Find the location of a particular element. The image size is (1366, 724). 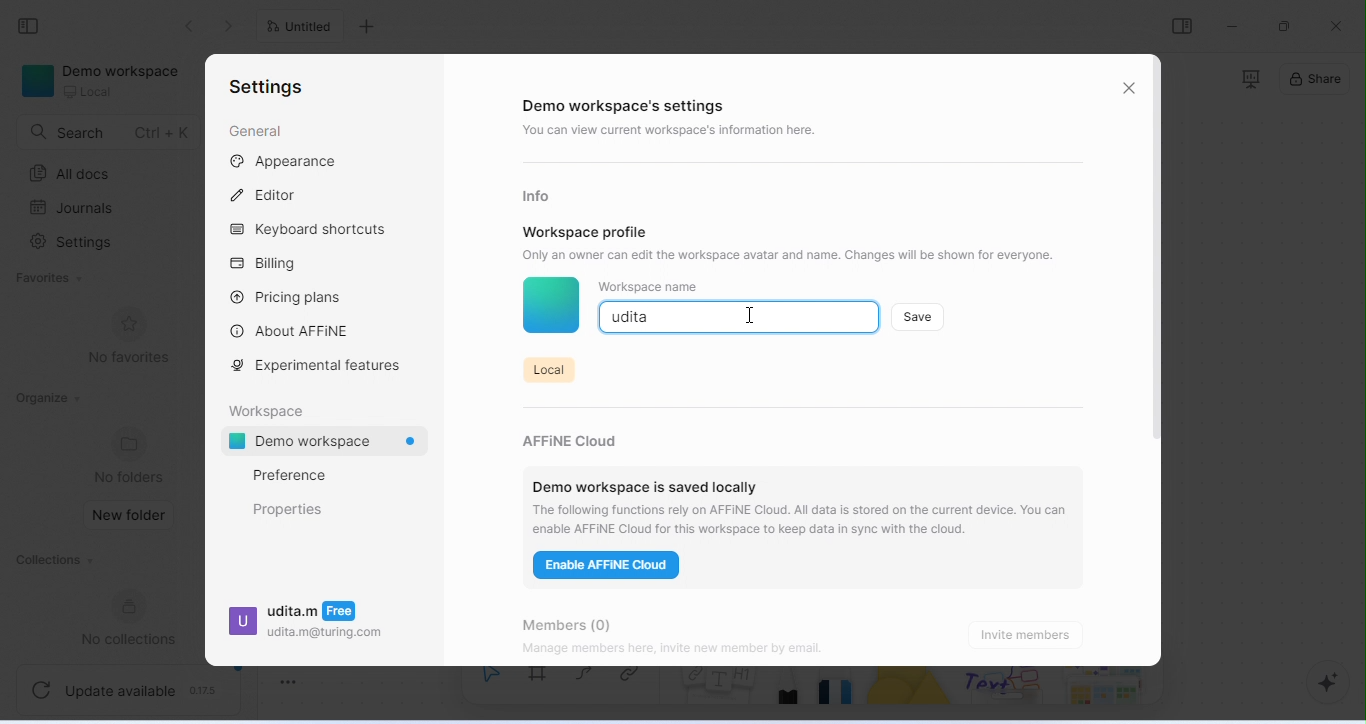

select is located at coordinates (490, 686).